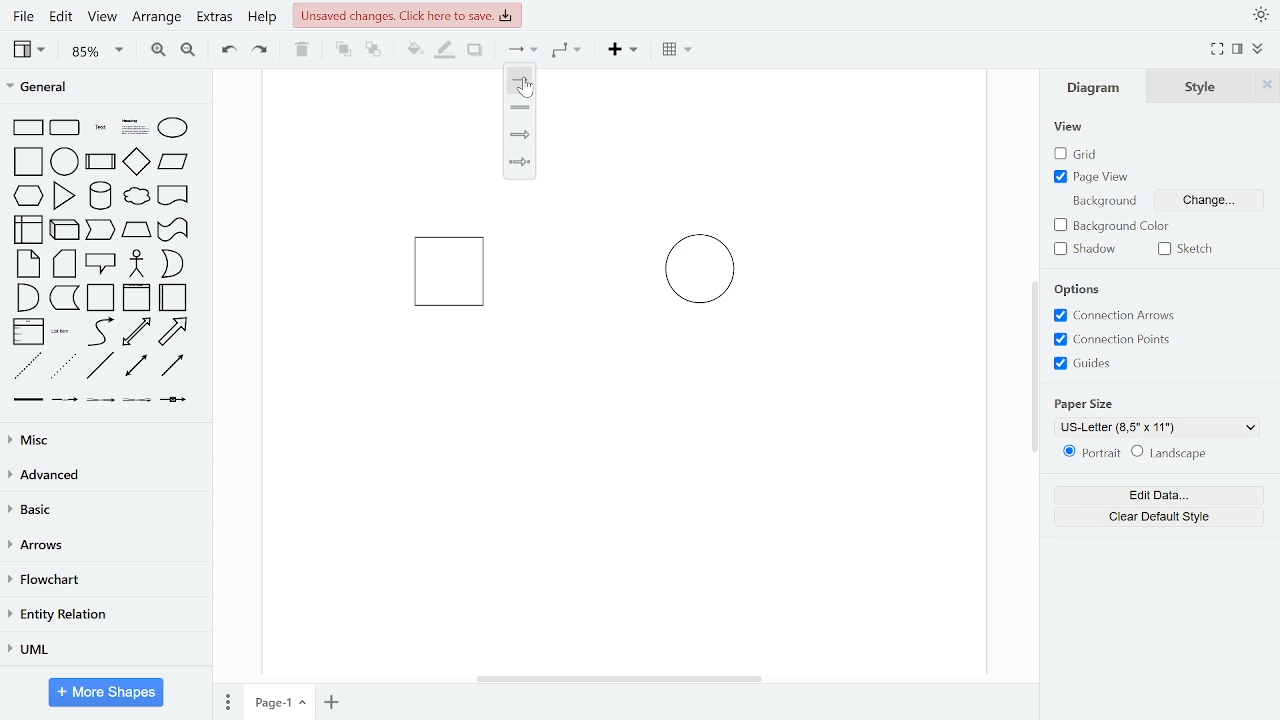  I want to click on paralellogram, so click(173, 161).